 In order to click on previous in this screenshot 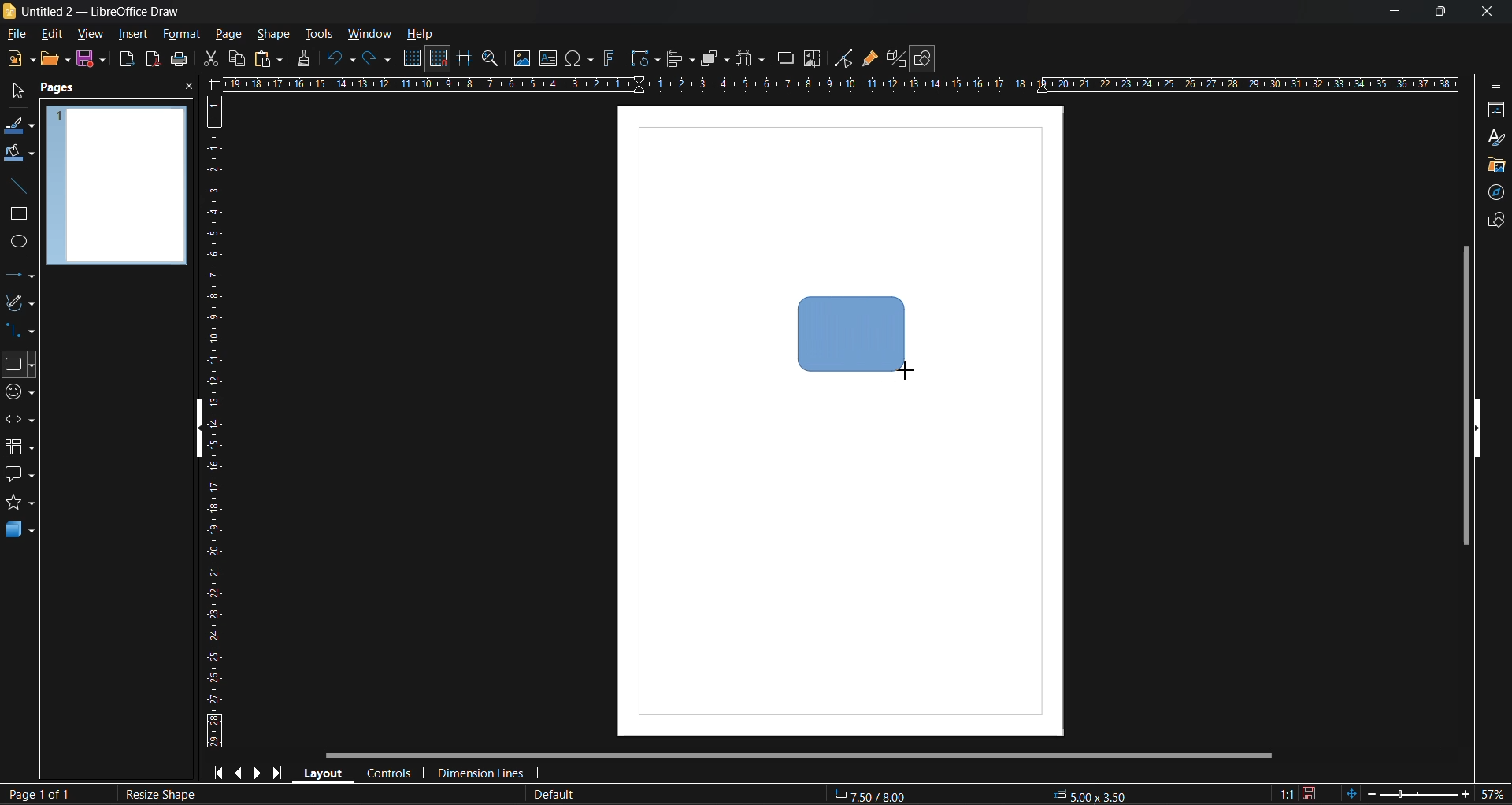, I will do `click(237, 771)`.